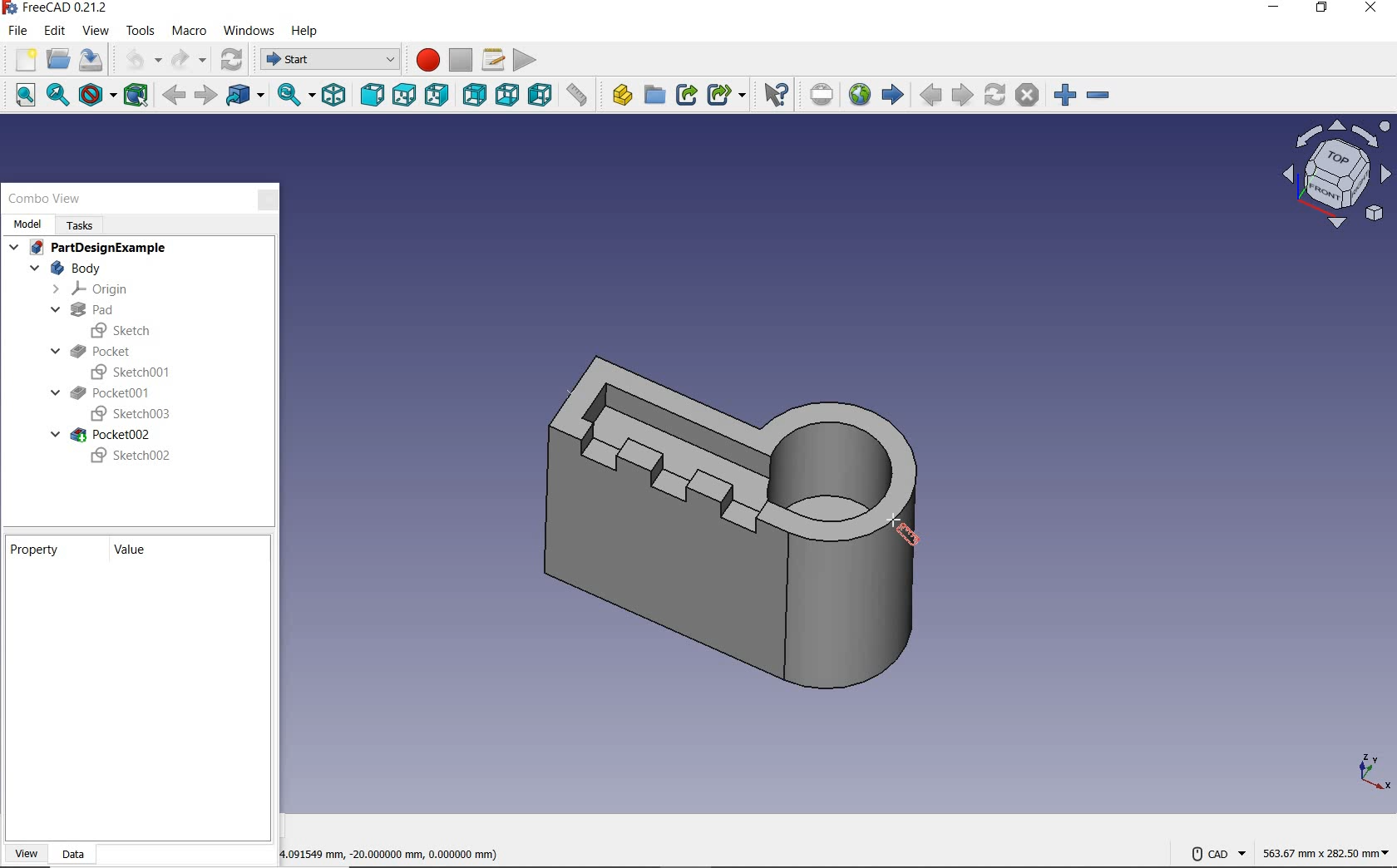 Image resolution: width=1397 pixels, height=868 pixels. I want to click on macros, so click(494, 60).